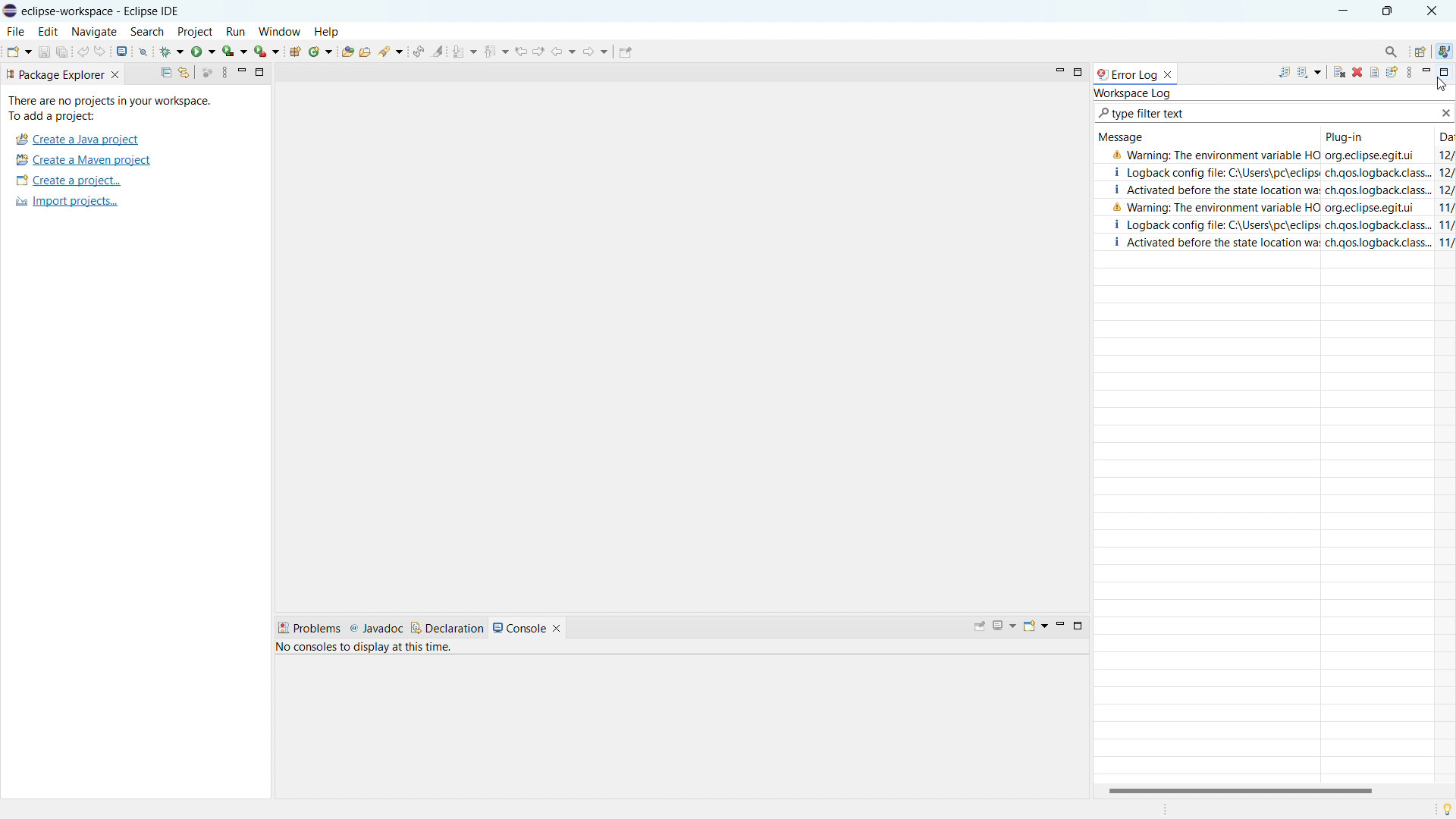 The image size is (1456, 819). Describe the element at coordinates (539, 51) in the screenshot. I see `next edit location` at that location.